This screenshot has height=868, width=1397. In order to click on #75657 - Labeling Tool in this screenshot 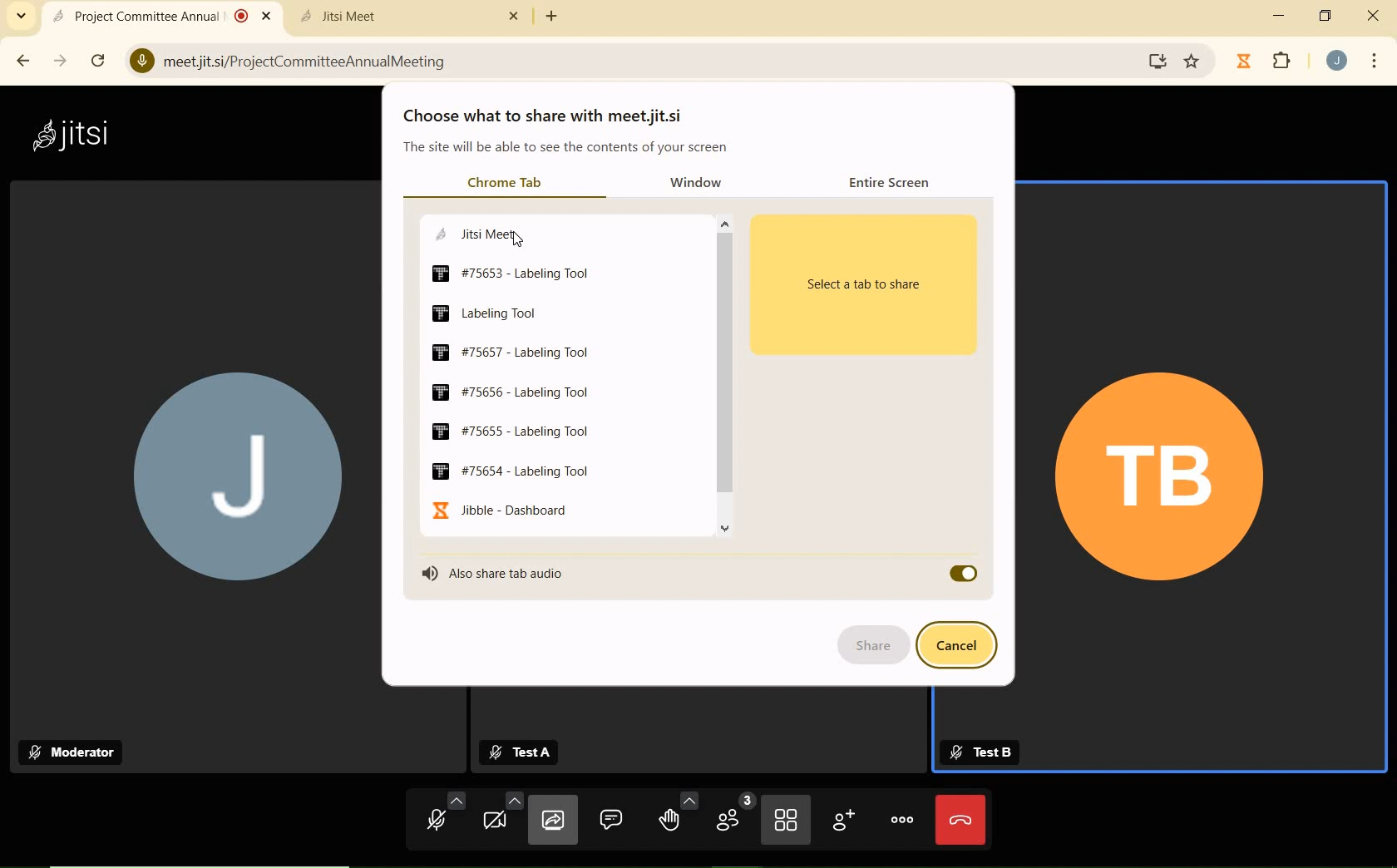, I will do `click(531, 352)`.